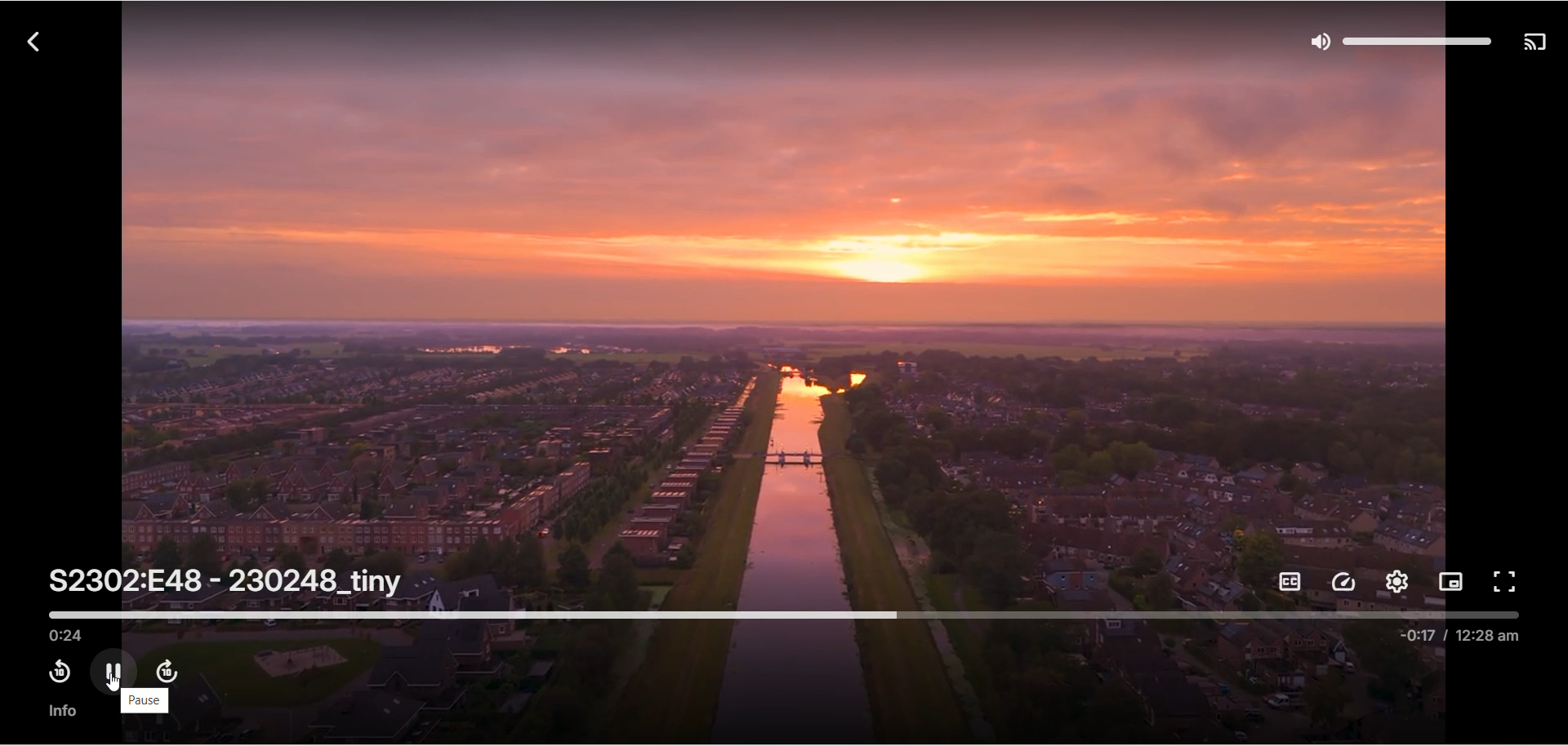 The width and height of the screenshot is (1568, 746). I want to click on play on another device, so click(1535, 44).